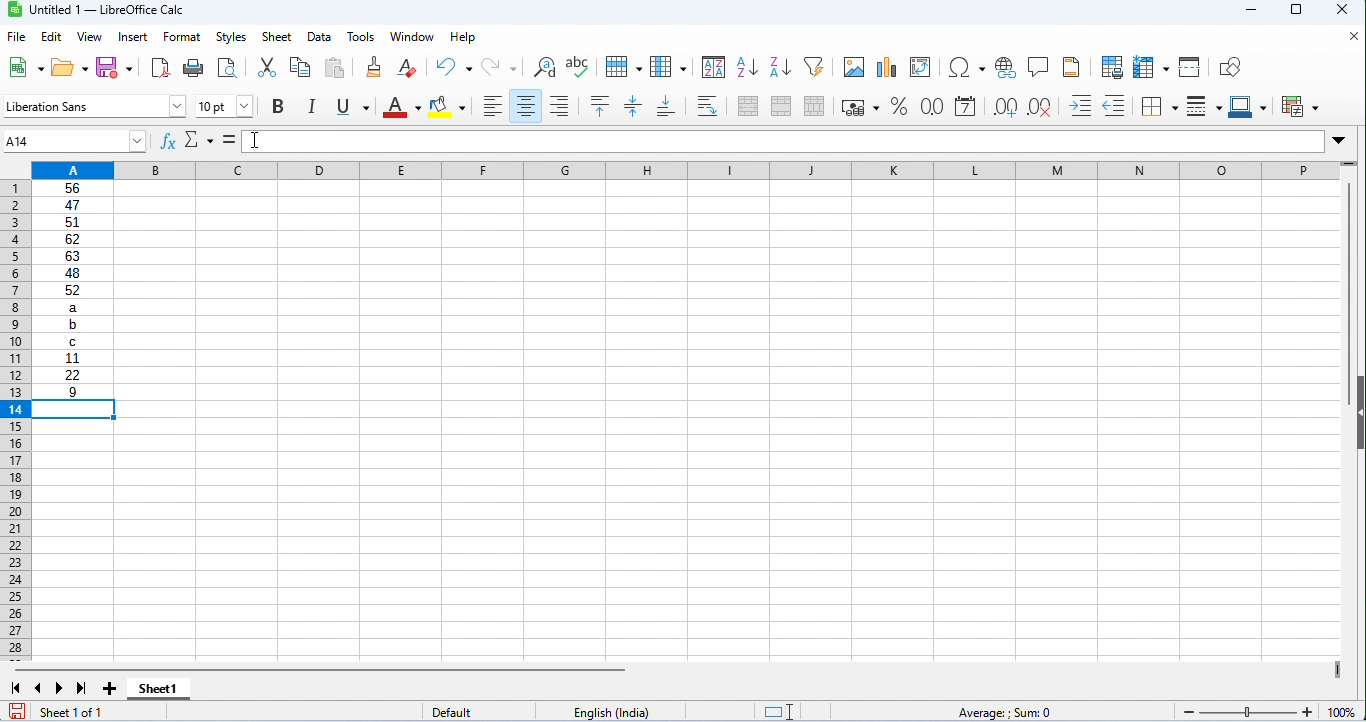 This screenshot has width=1366, height=722. I want to click on open, so click(70, 67).